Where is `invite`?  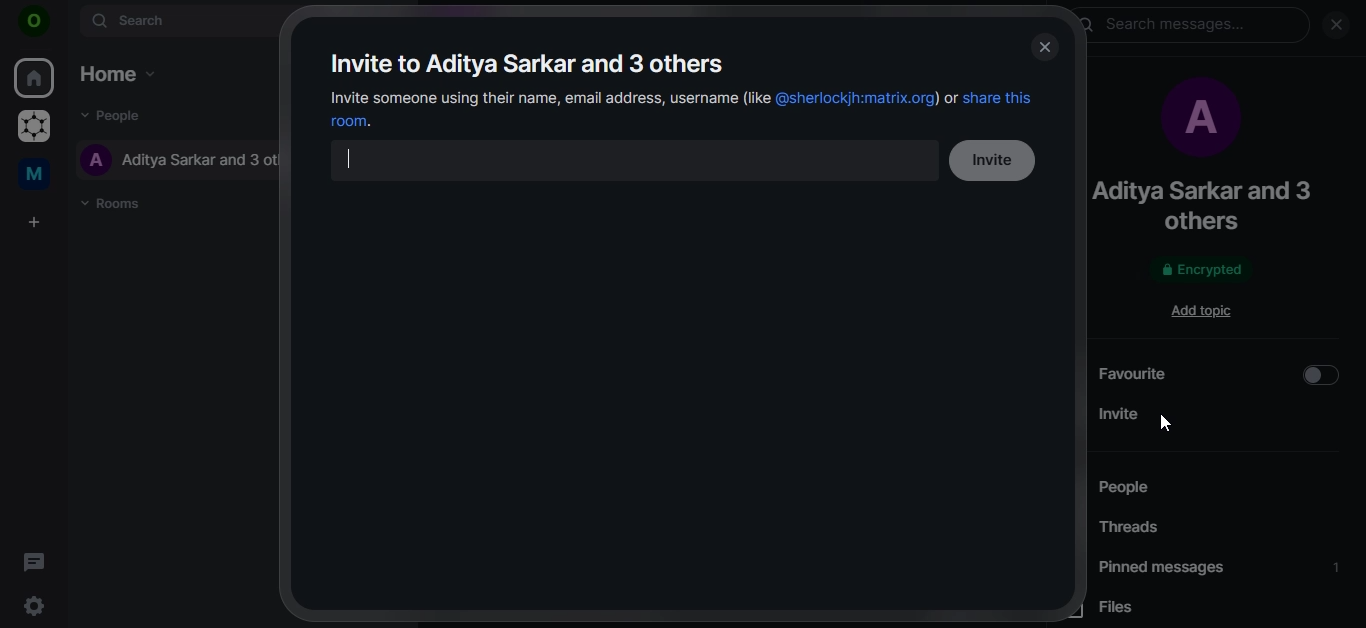 invite is located at coordinates (998, 161).